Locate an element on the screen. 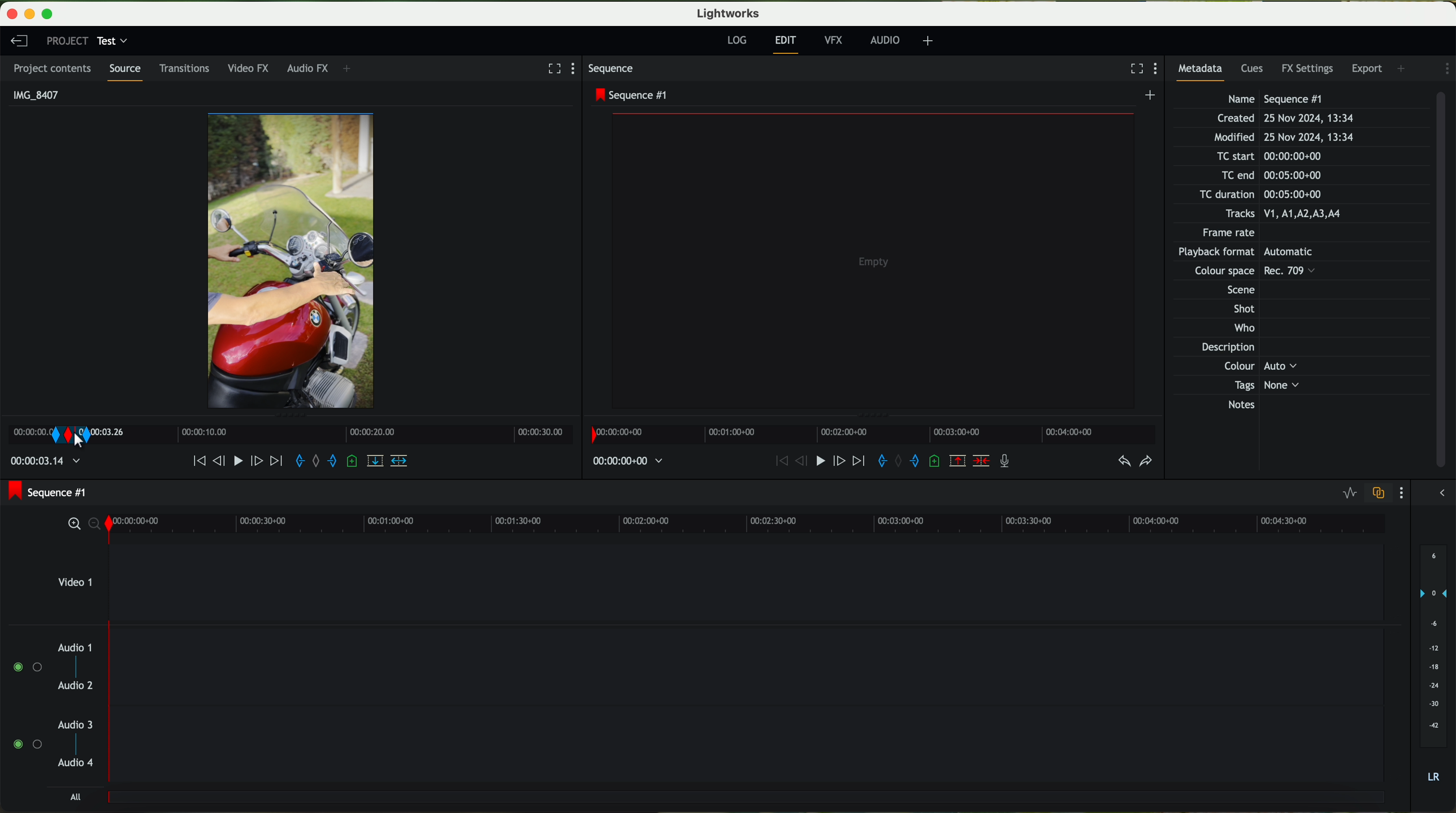 This screenshot has width=1456, height=813. move foward is located at coordinates (276, 461).